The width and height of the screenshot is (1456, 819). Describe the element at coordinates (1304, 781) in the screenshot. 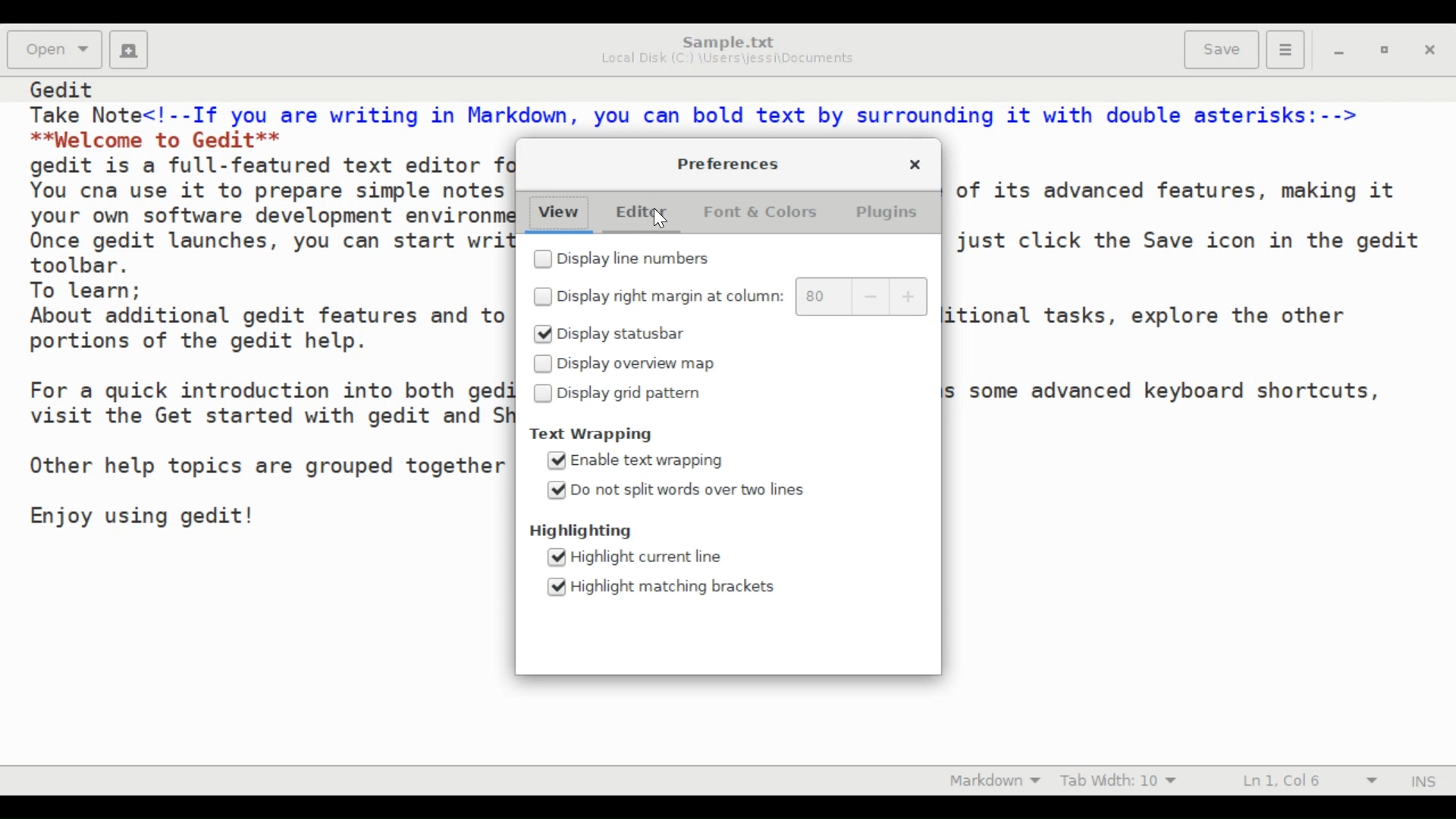

I see `Ln 1,  Col 6` at that location.